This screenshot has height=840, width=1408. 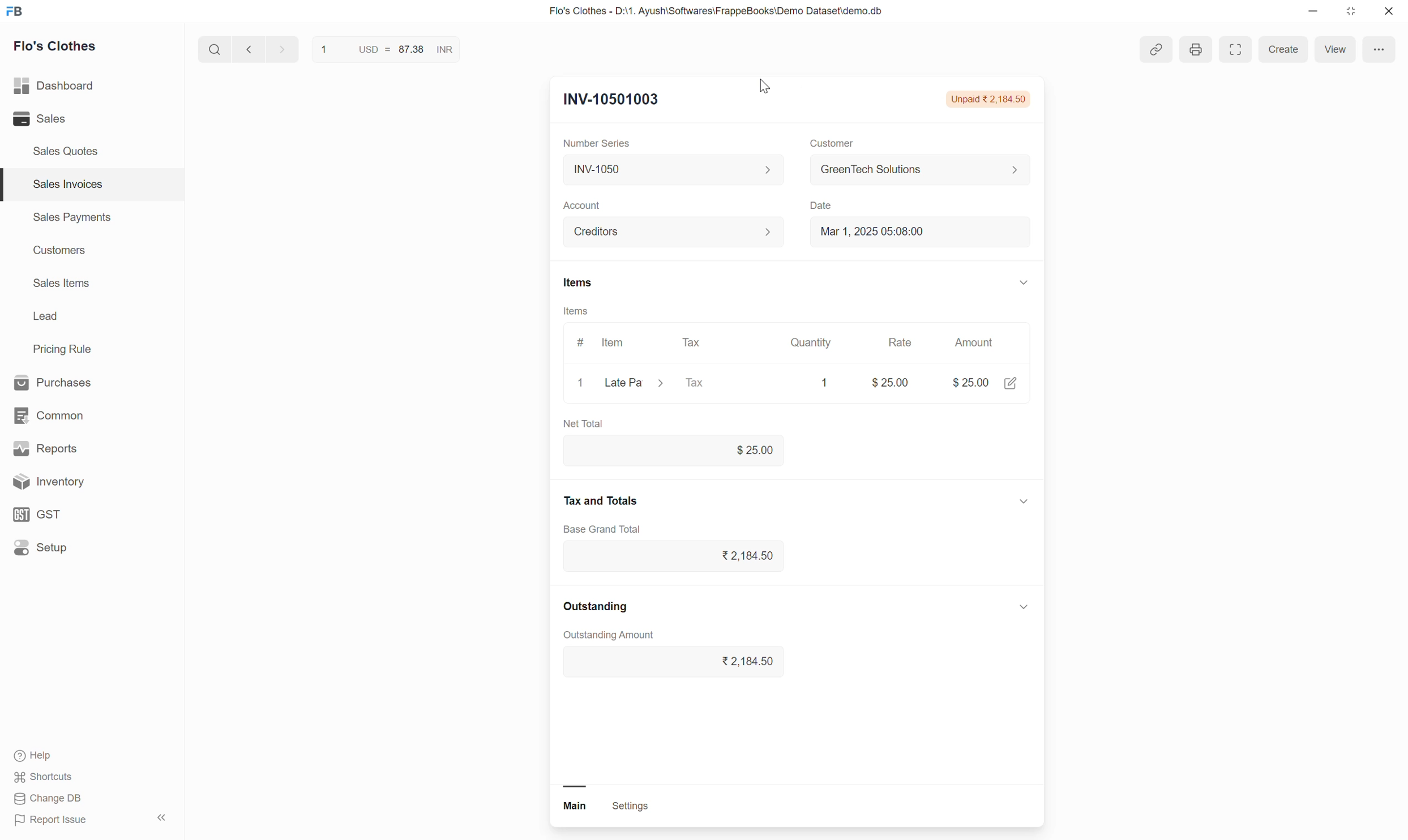 What do you see at coordinates (85, 482) in the screenshot?
I see `Inventory ` at bounding box center [85, 482].